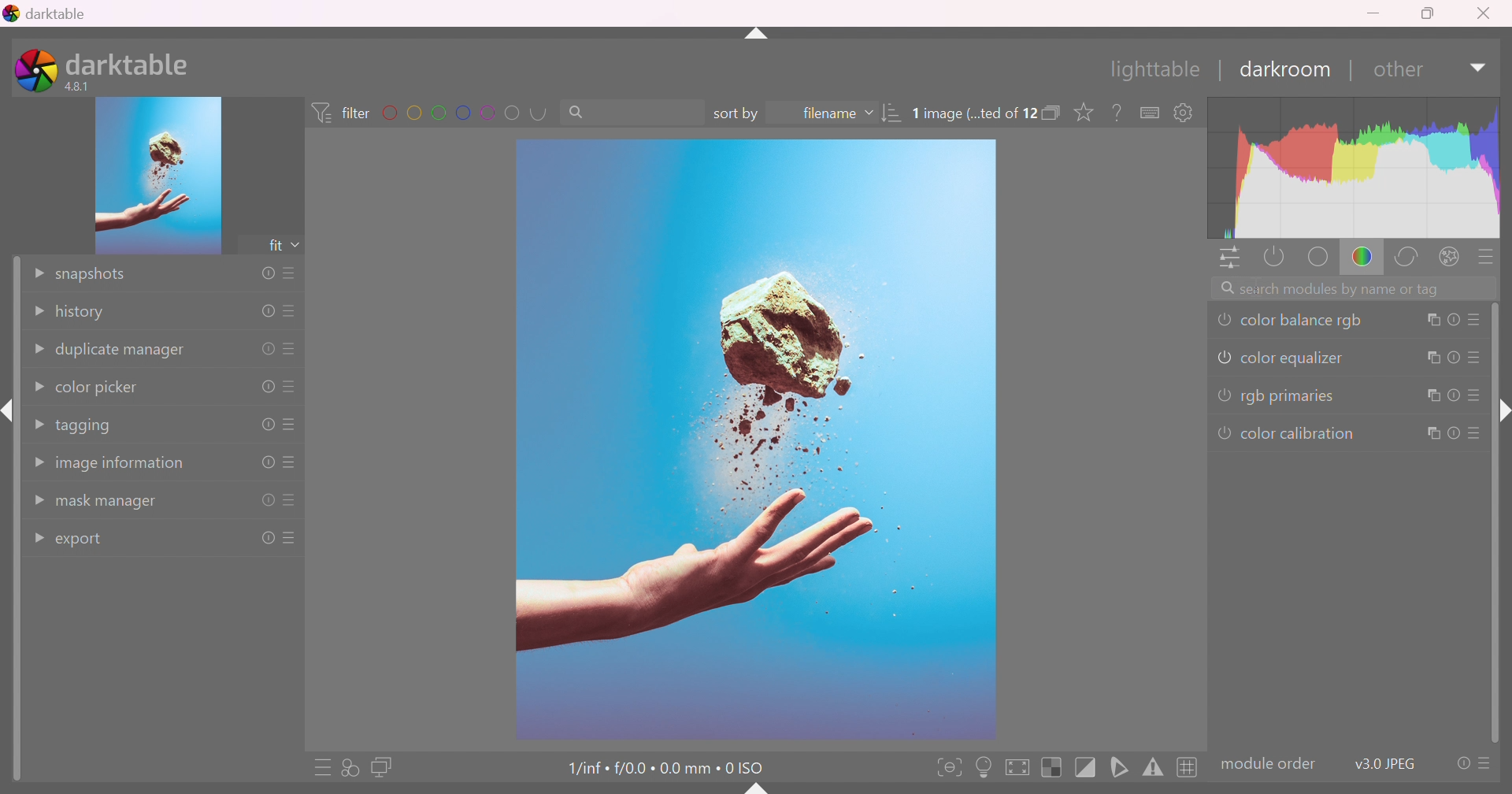 This screenshot has height=794, width=1512. What do you see at coordinates (1431, 434) in the screenshot?
I see `multiple instance actions` at bounding box center [1431, 434].